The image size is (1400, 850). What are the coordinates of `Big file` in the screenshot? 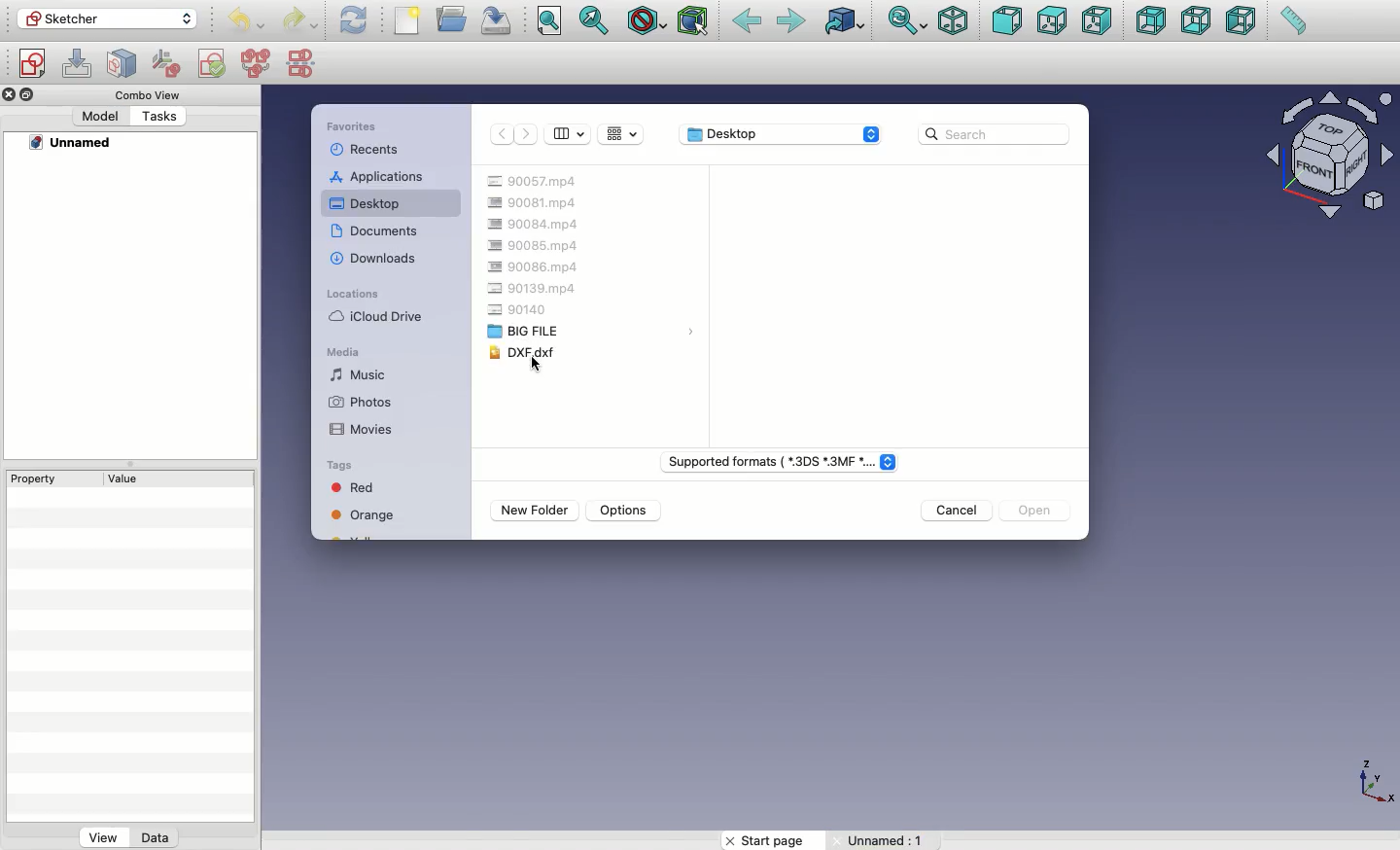 It's located at (529, 331).